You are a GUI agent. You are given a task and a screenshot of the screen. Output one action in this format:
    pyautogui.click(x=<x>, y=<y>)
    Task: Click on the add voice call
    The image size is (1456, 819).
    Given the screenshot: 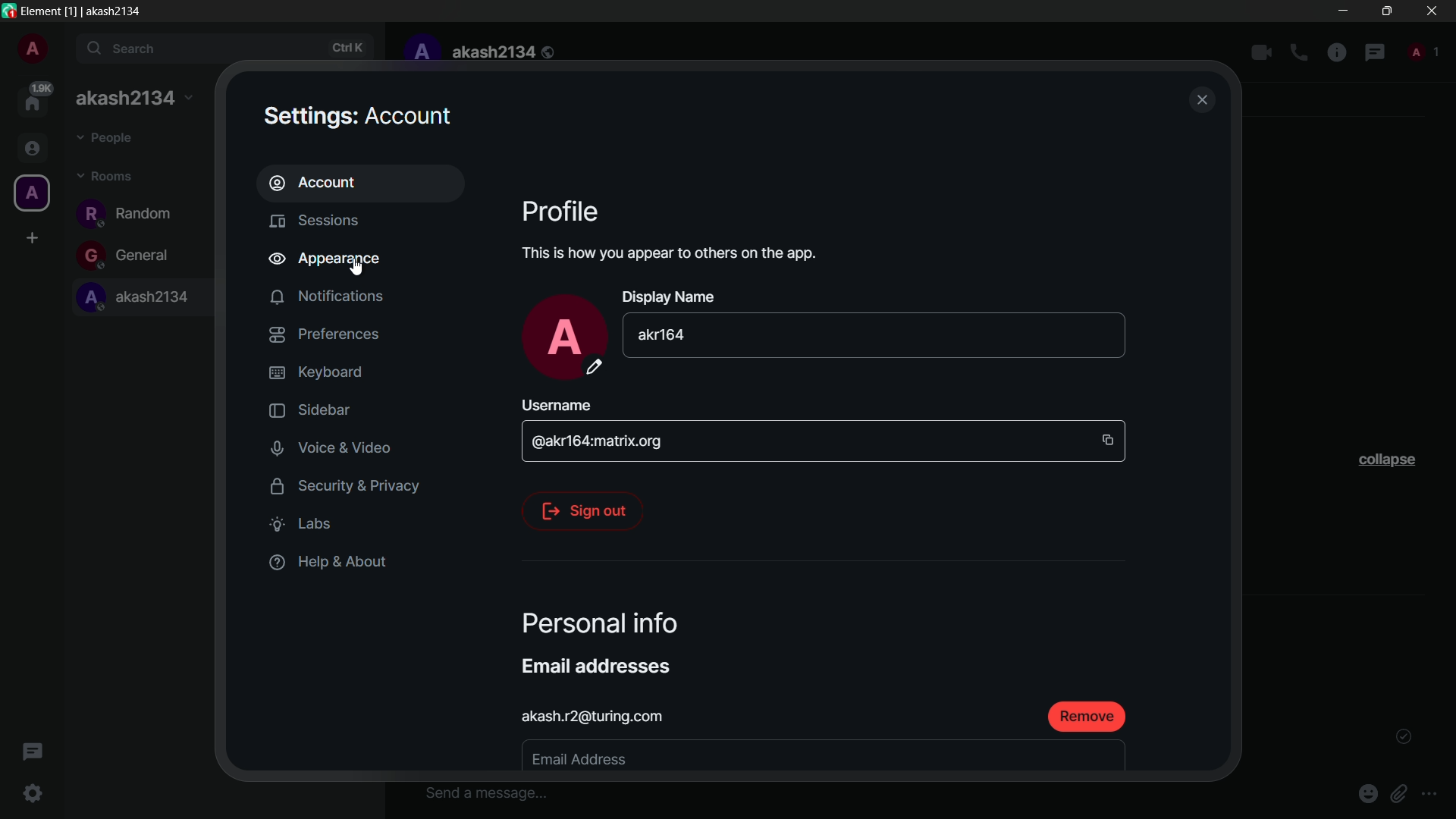 What is the action you would take?
    pyautogui.click(x=1299, y=53)
    